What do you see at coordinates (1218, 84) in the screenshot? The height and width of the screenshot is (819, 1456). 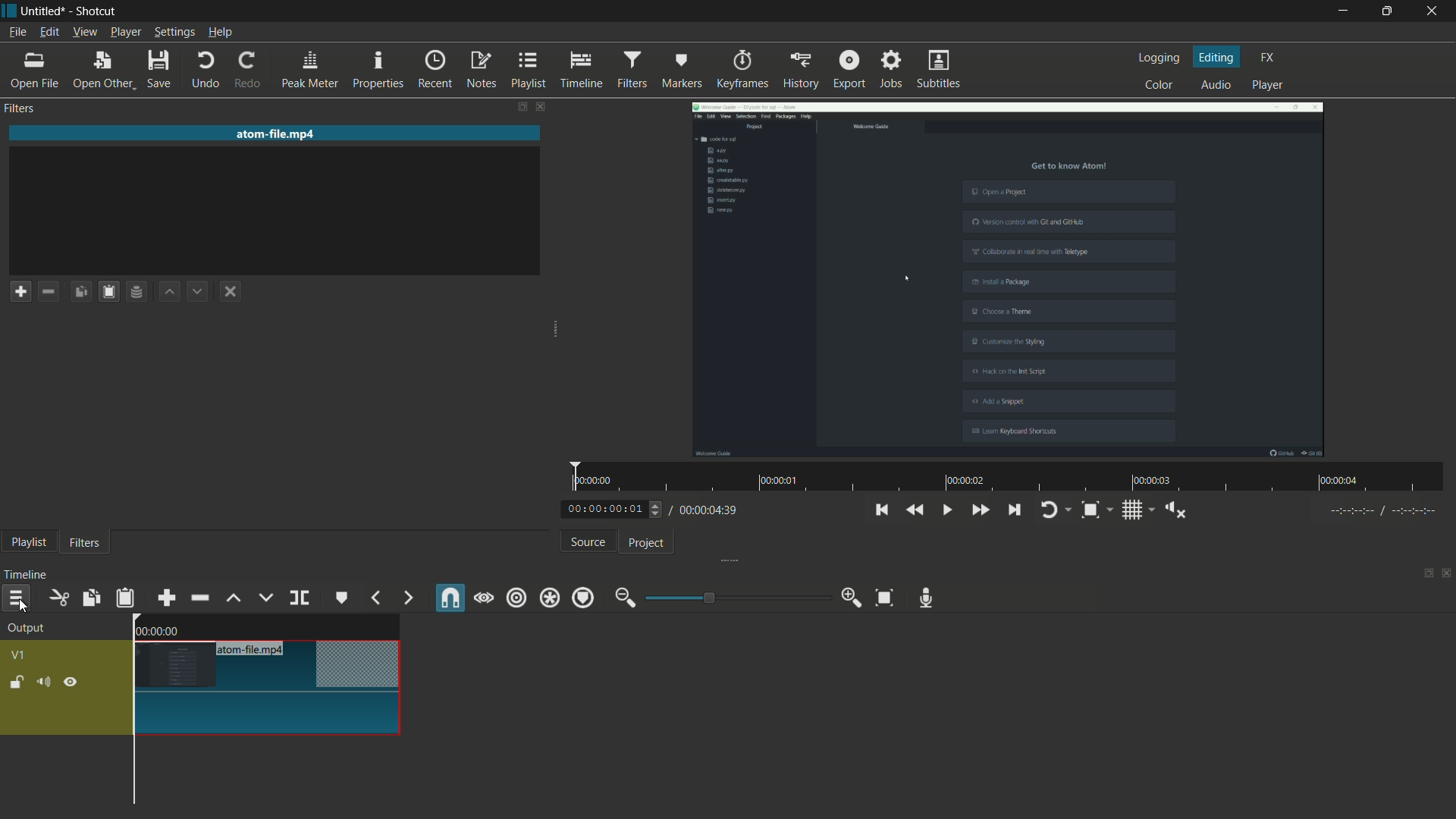 I see `audio` at bounding box center [1218, 84].